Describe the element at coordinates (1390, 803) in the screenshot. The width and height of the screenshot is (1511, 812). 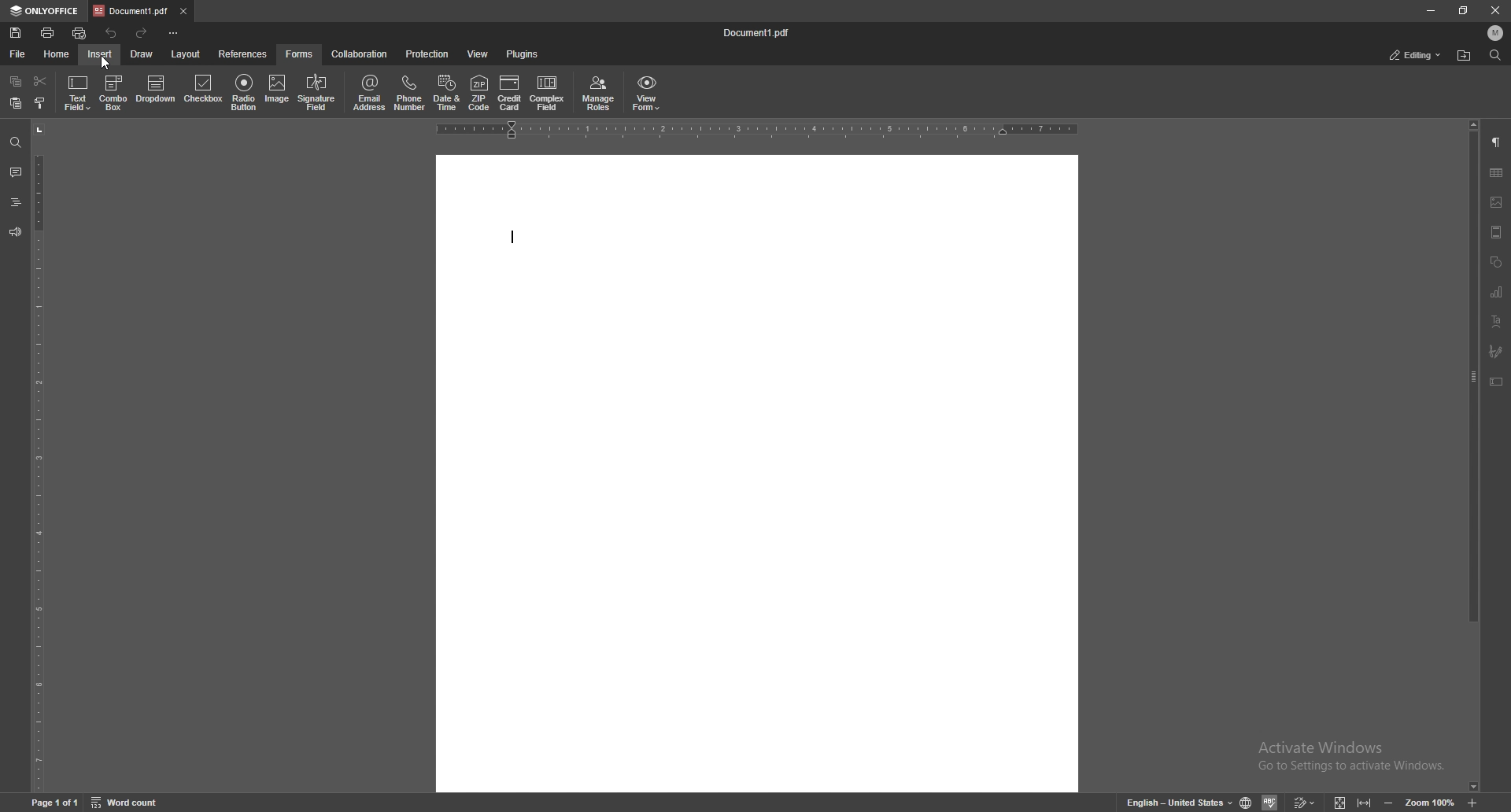
I see `zoom out` at that location.